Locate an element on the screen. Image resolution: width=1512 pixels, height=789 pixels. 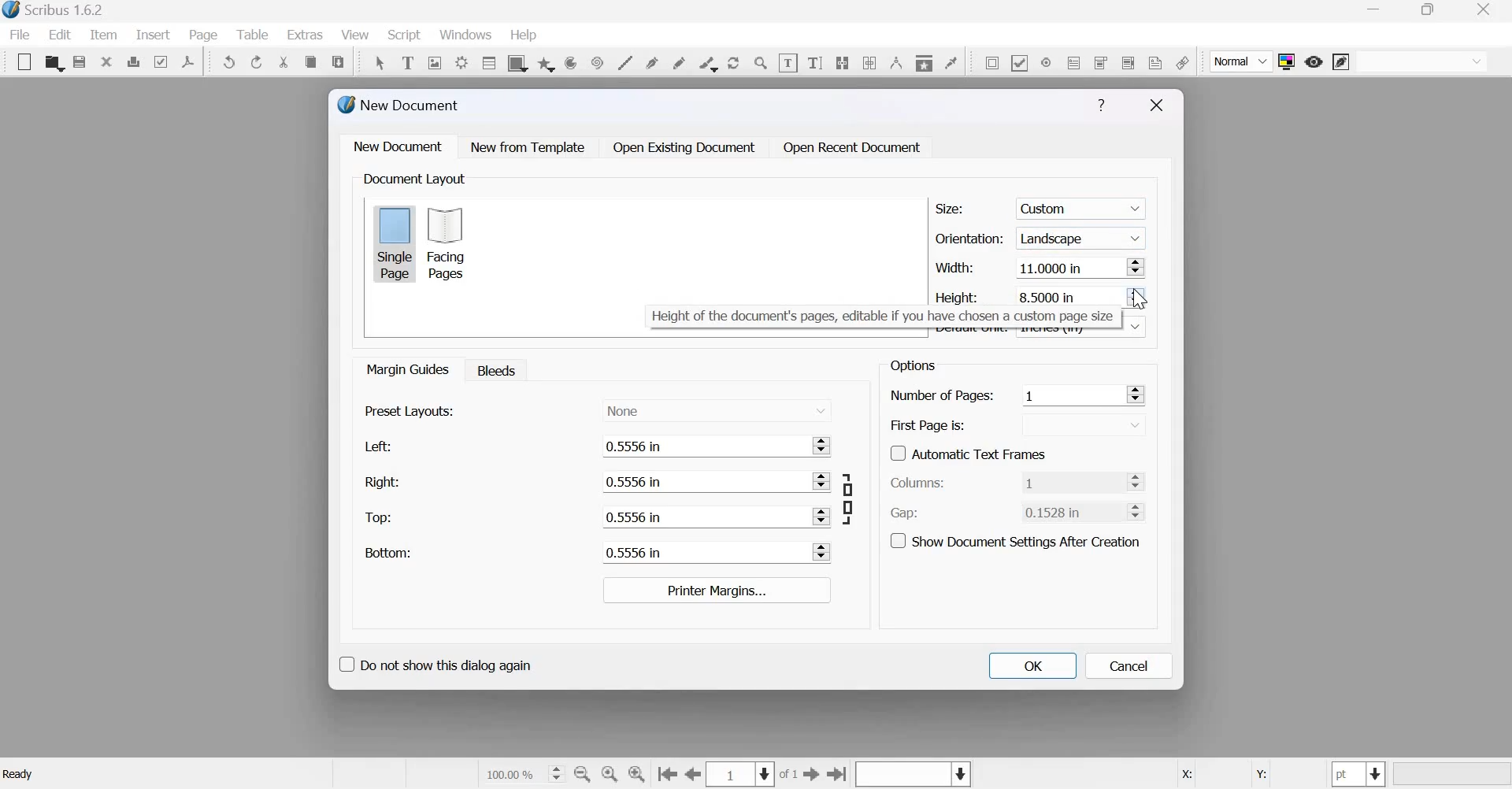
zoom in by the stepping value in Tools preferences is located at coordinates (638, 774).